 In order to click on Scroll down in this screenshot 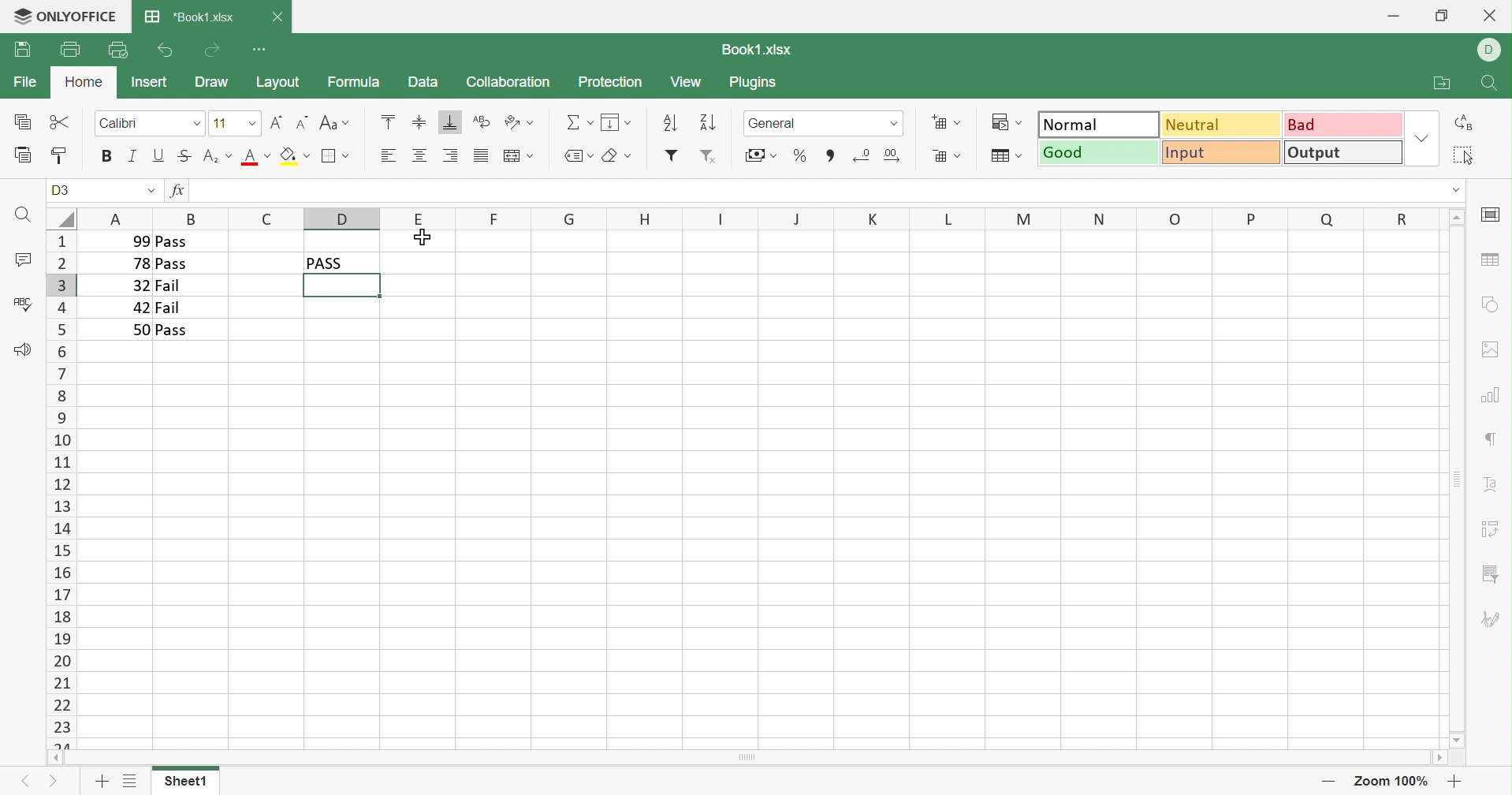, I will do `click(1458, 740)`.